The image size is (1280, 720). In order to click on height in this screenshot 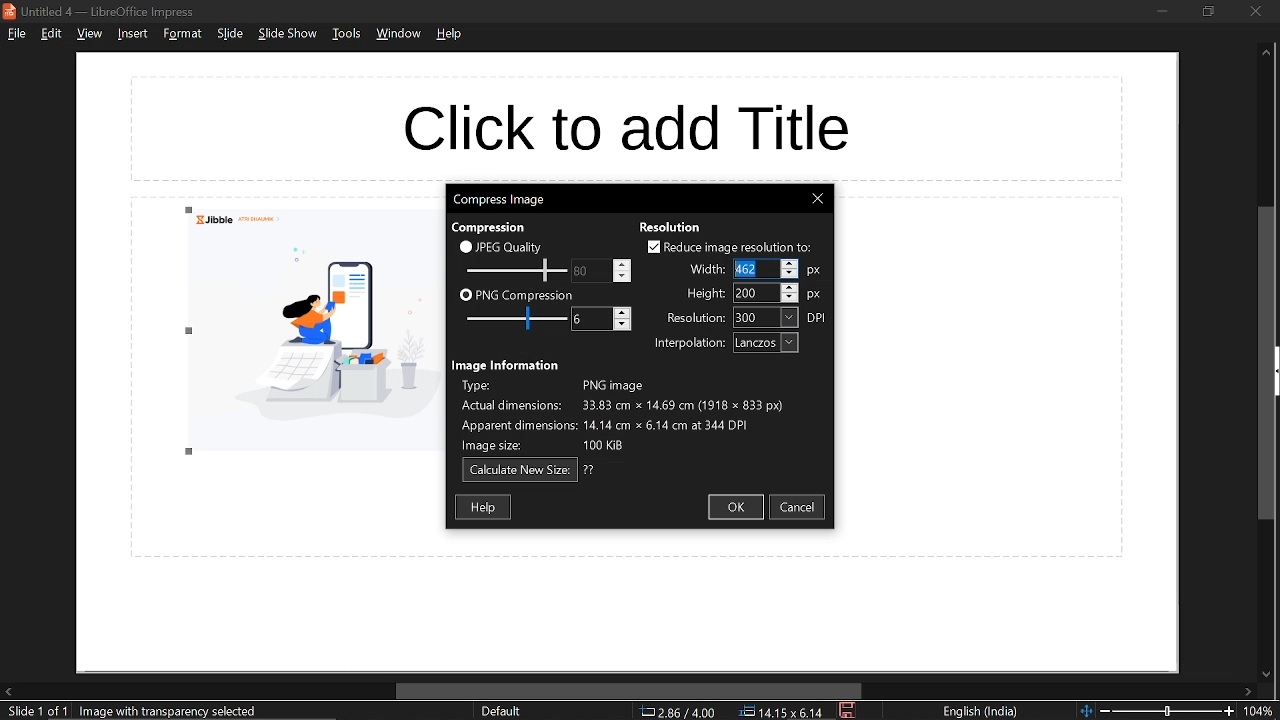, I will do `click(754, 293)`.